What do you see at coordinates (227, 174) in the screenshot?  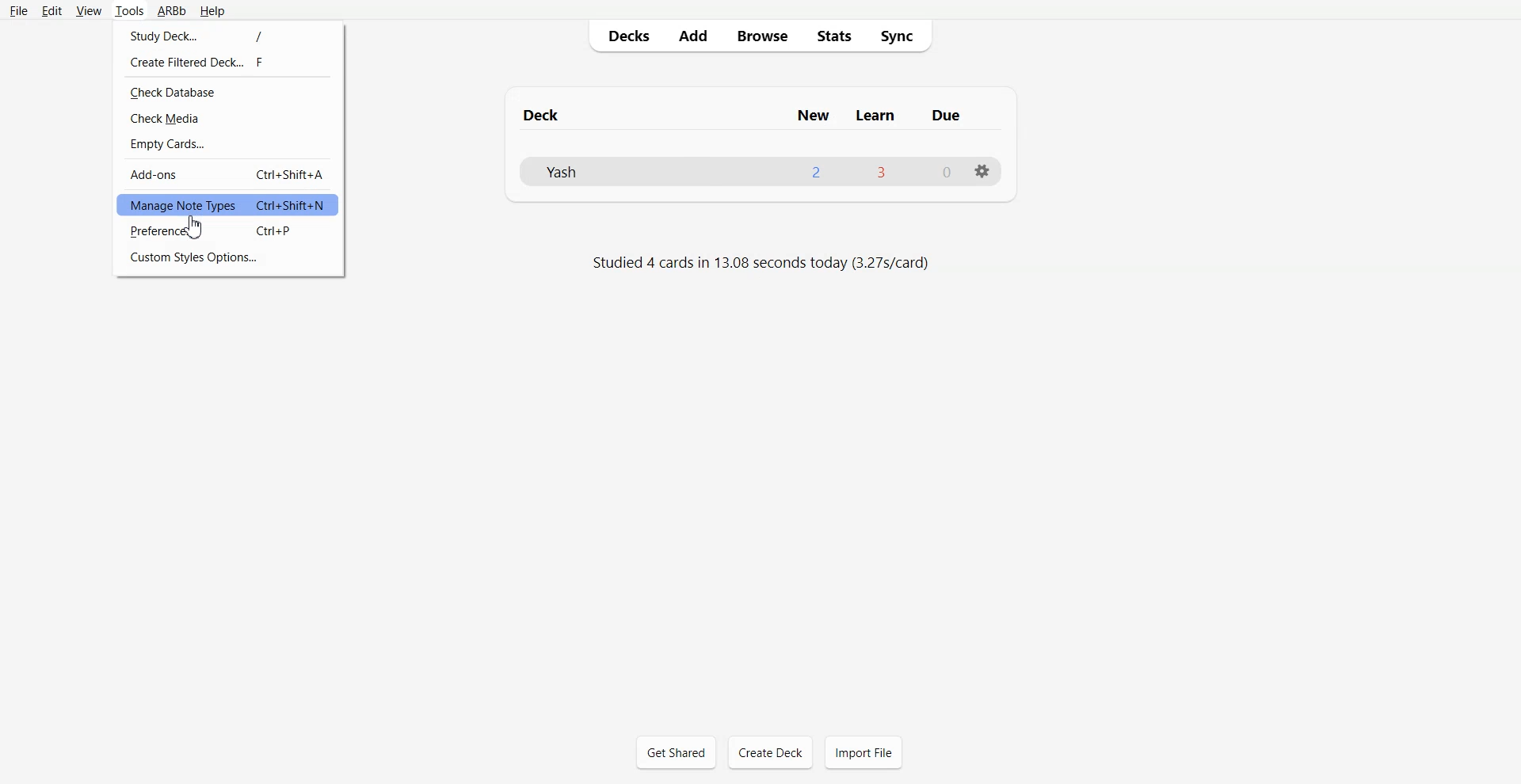 I see `Add-ons` at bounding box center [227, 174].